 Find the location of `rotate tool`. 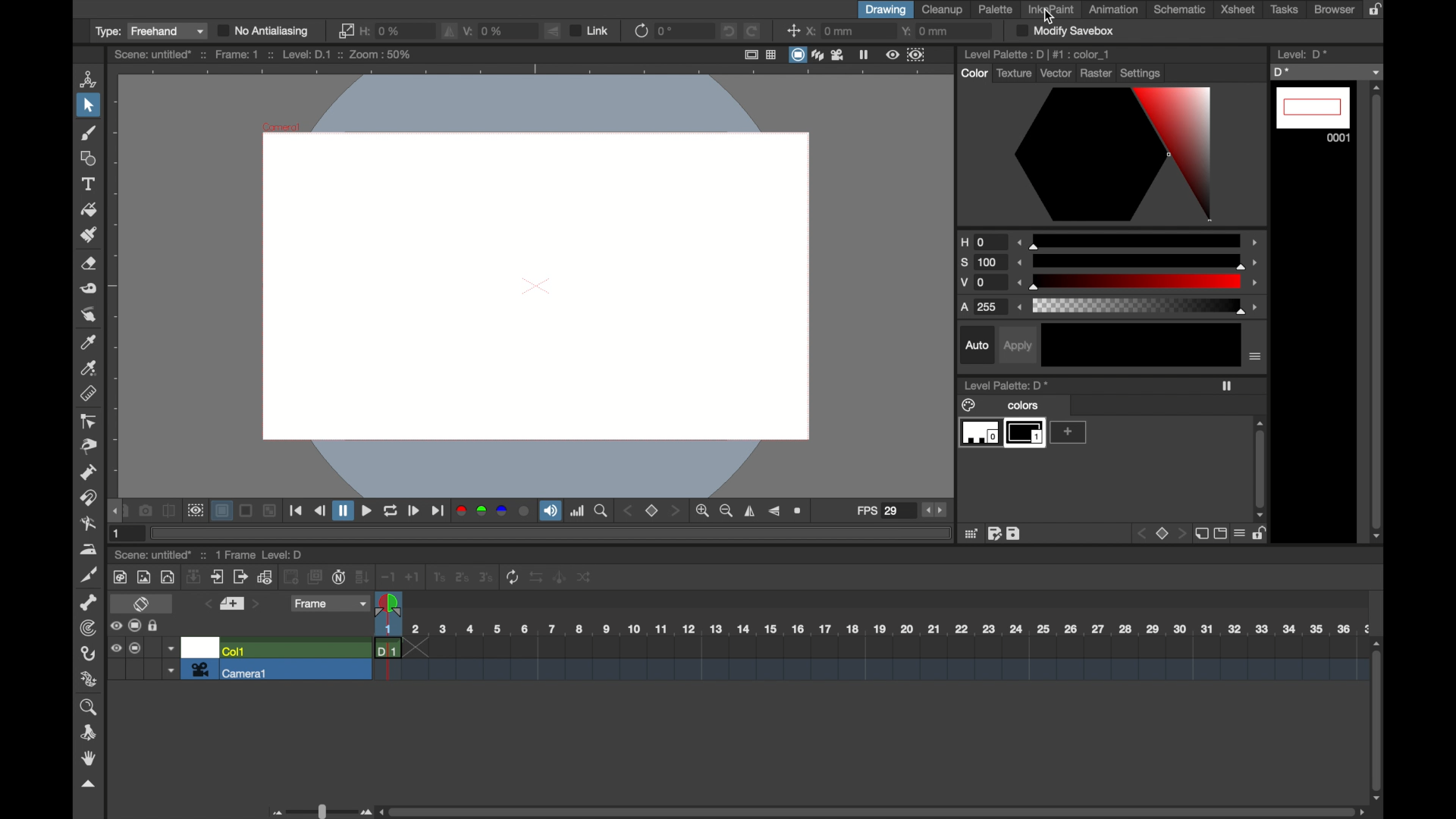

rotate tool is located at coordinates (90, 733).